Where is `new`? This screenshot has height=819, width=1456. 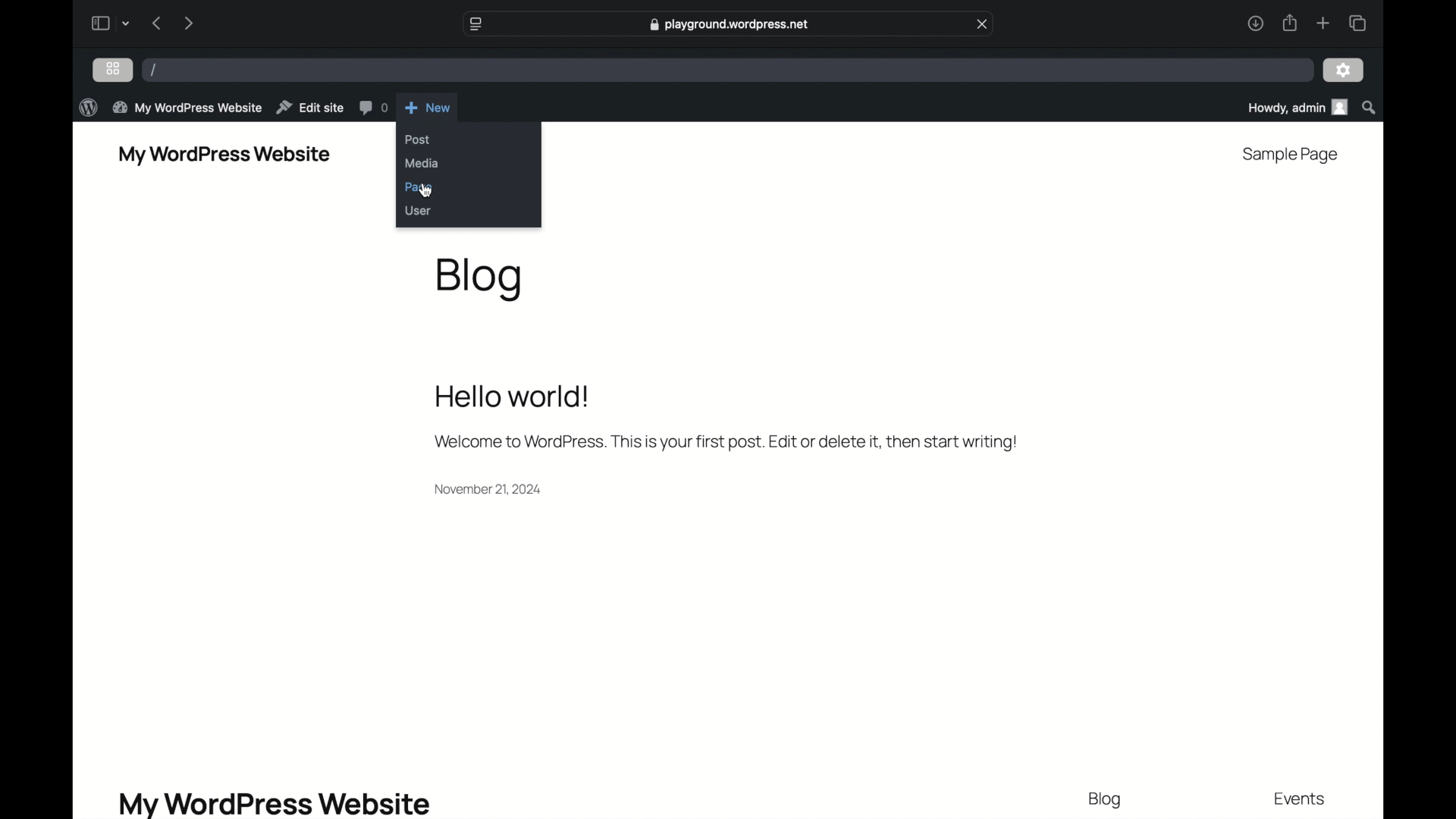 new is located at coordinates (428, 108).